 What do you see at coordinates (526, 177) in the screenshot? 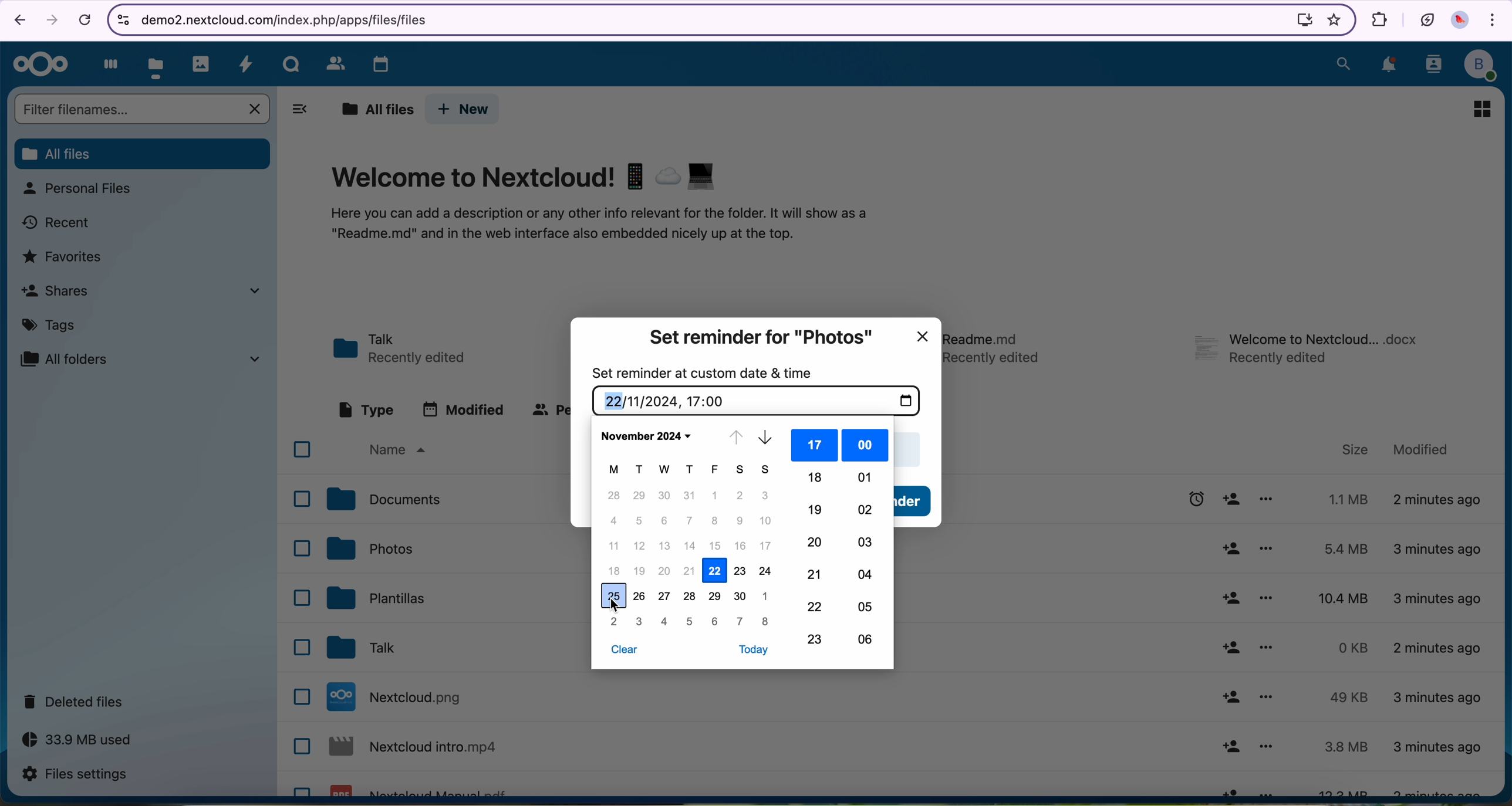
I see `Welcome to Nextcloud` at bounding box center [526, 177].